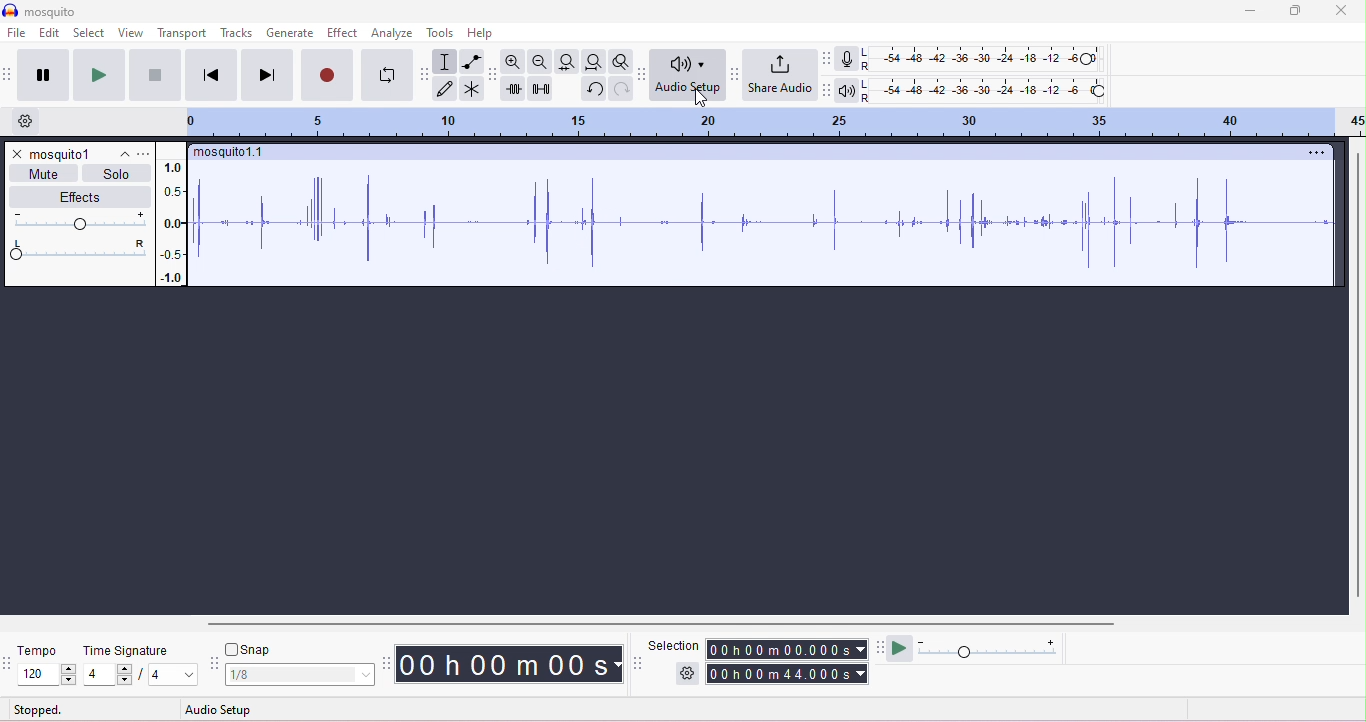 The height and width of the screenshot is (722, 1366). I want to click on options, so click(144, 154).